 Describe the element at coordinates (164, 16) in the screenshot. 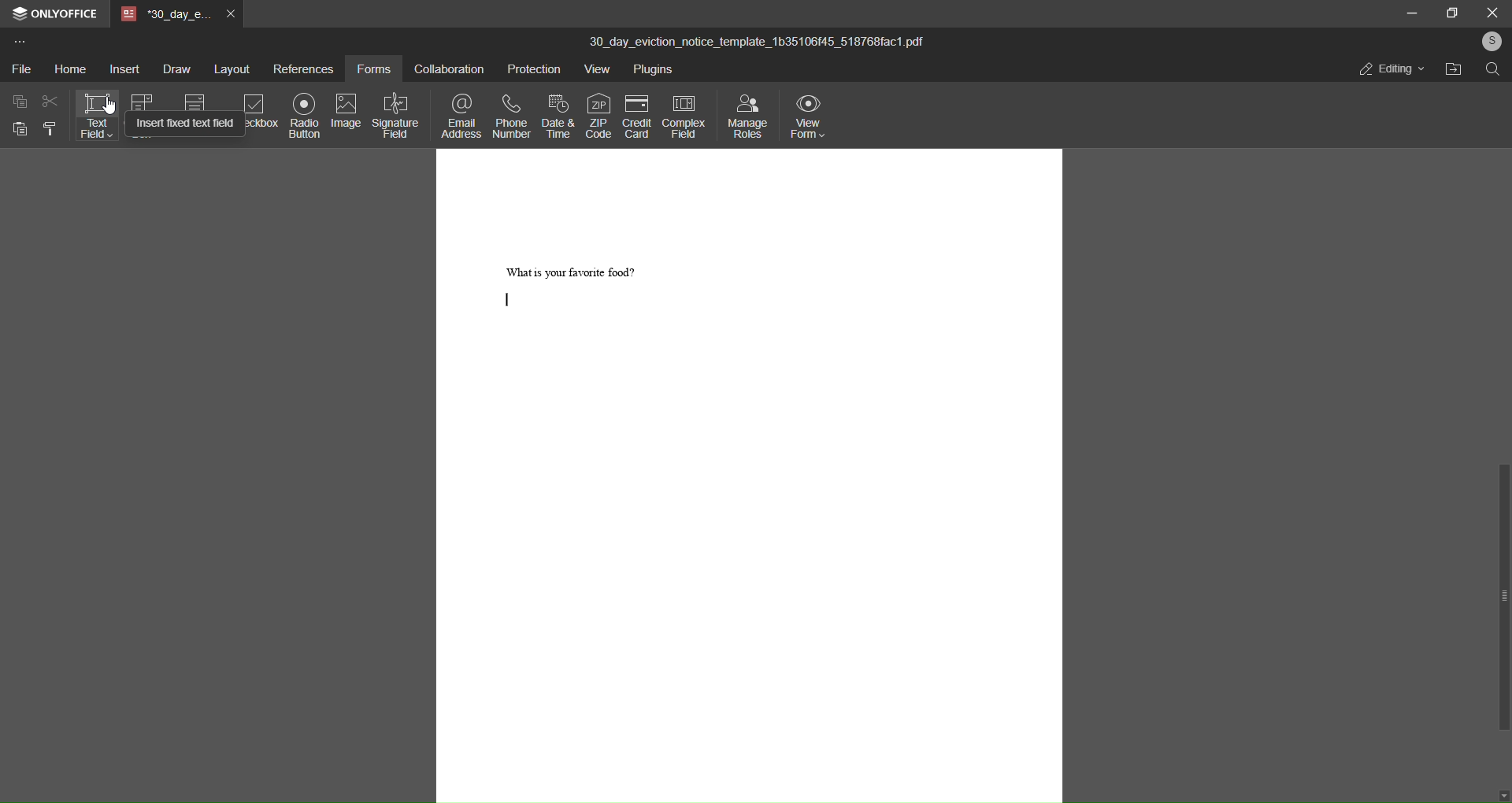

I see `tab name` at that location.